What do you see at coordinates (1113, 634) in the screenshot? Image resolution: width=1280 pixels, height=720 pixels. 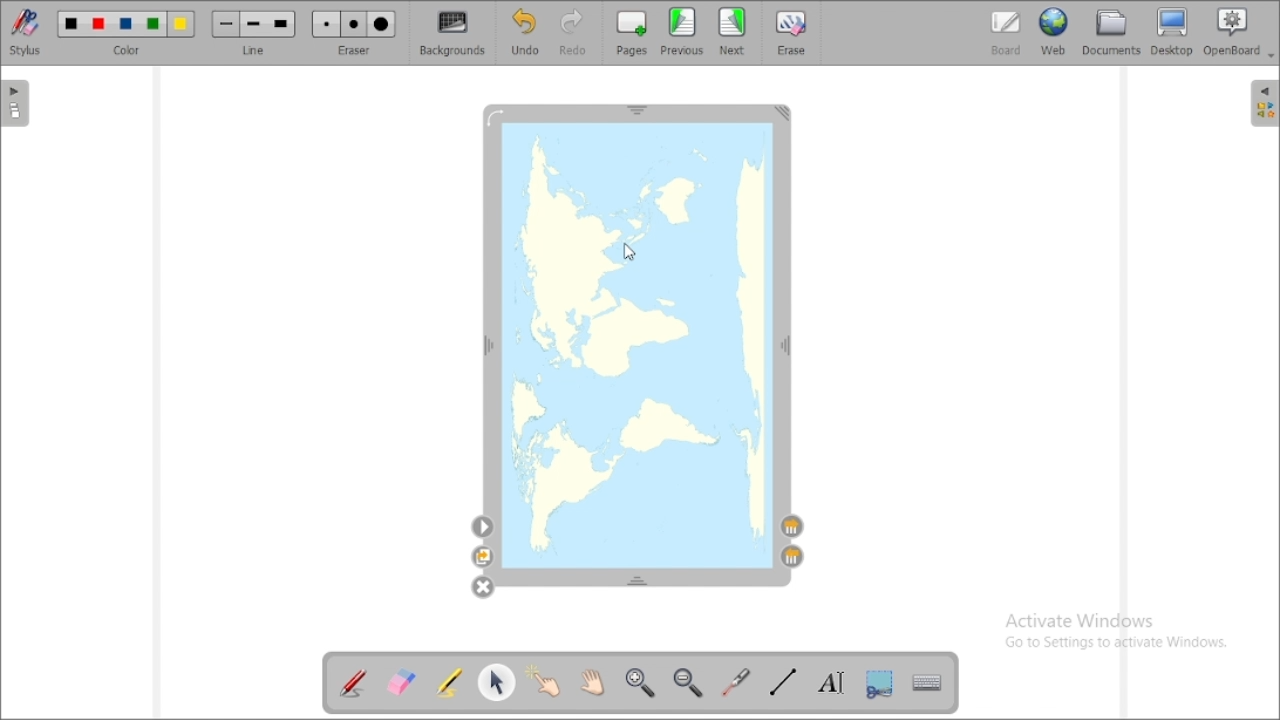 I see `Activate Windows
Go to Settings to activate Windows.` at bounding box center [1113, 634].